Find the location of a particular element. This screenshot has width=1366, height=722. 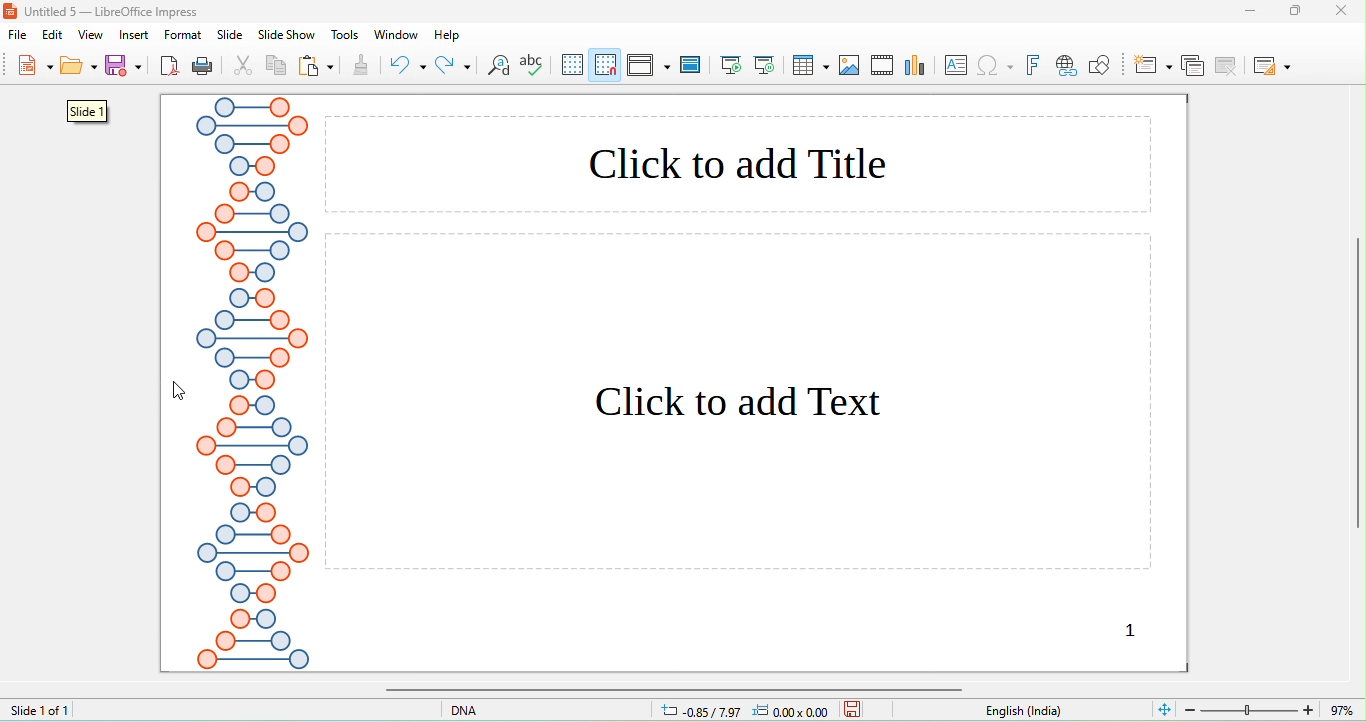

print is located at coordinates (202, 67).